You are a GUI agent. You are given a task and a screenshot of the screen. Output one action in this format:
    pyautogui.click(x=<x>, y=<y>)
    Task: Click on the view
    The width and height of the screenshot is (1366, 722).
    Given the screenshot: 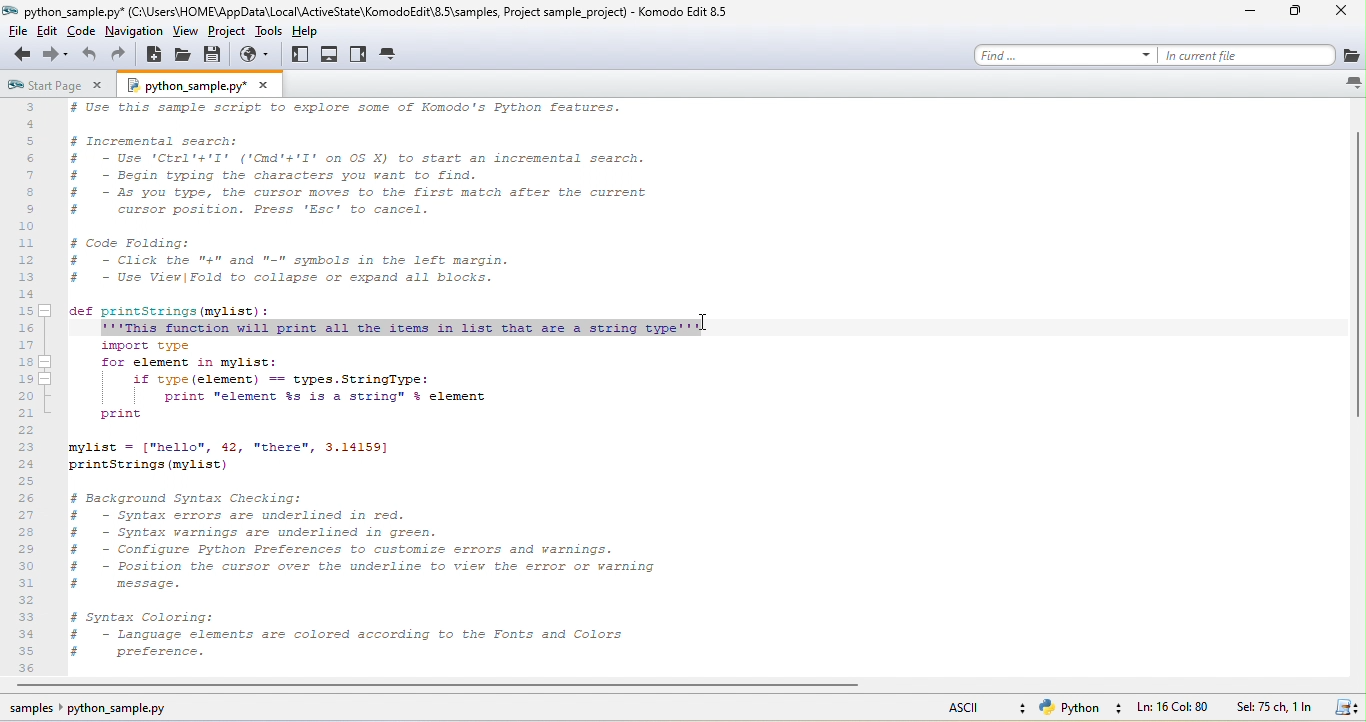 What is the action you would take?
    pyautogui.click(x=184, y=32)
    